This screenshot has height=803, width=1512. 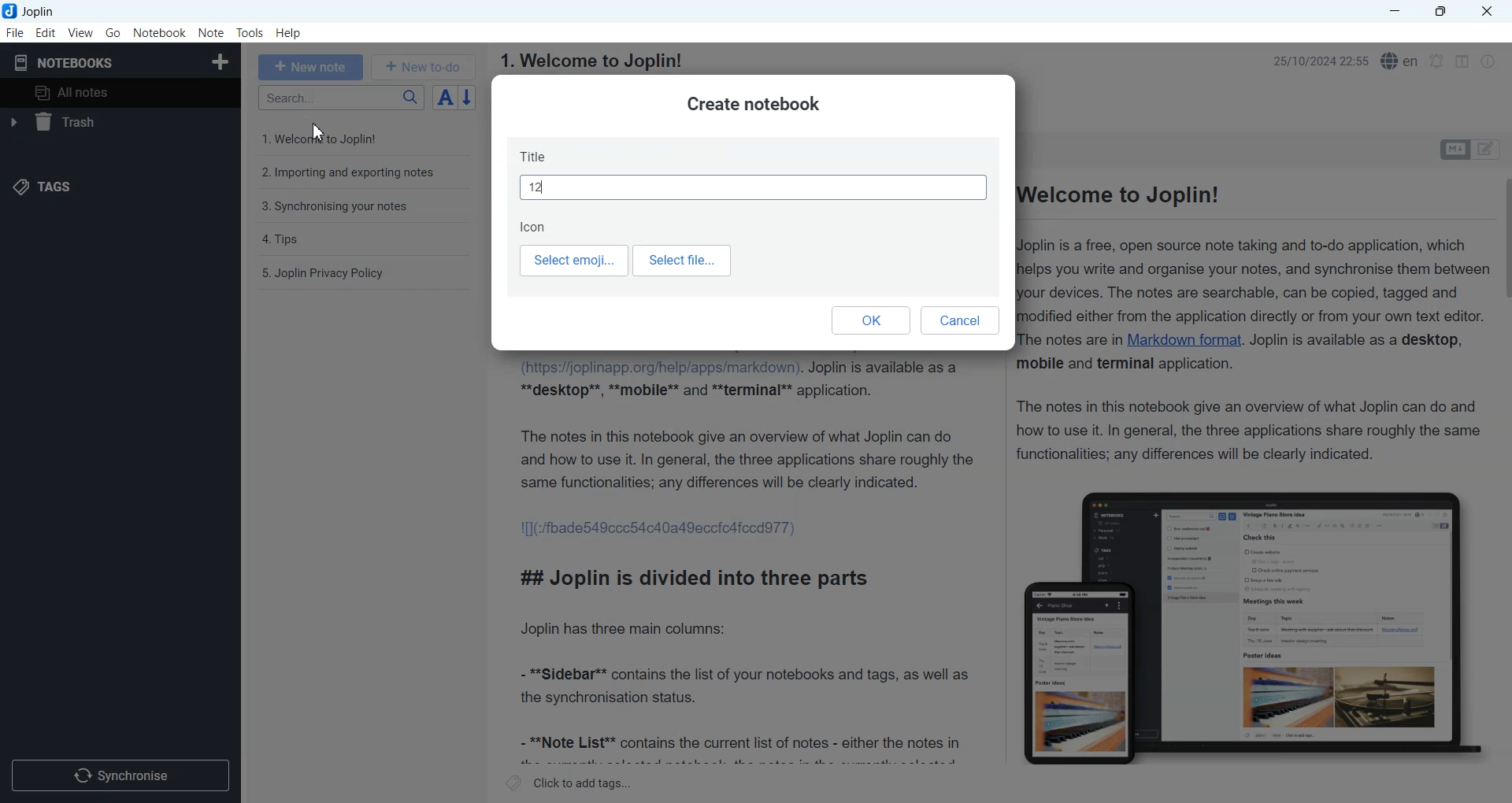 I want to click on Cursor, so click(x=321, y=131).